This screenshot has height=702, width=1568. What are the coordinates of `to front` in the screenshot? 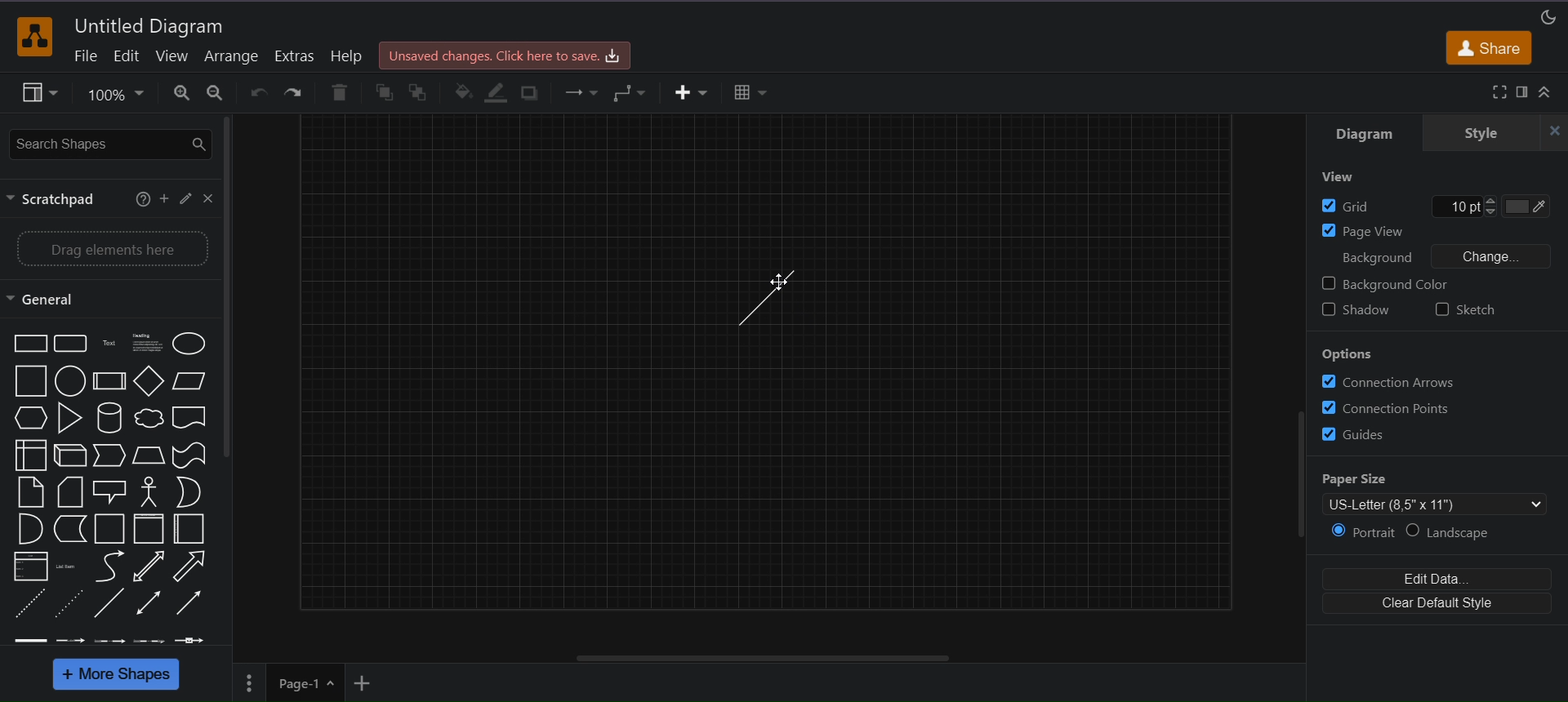 It's located at (384, 92).